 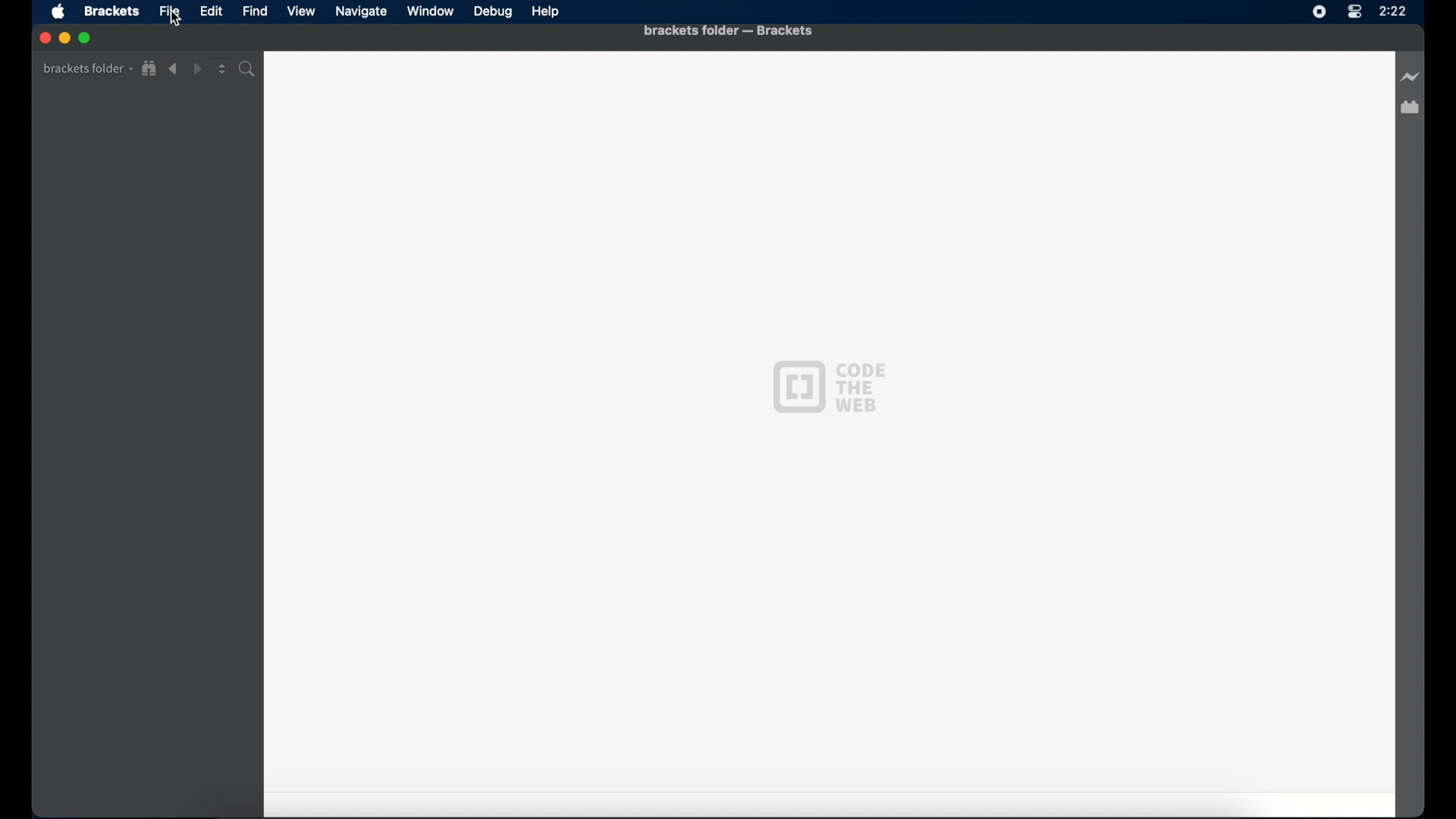 I want to click on minimize, so click(x=64, y=37).